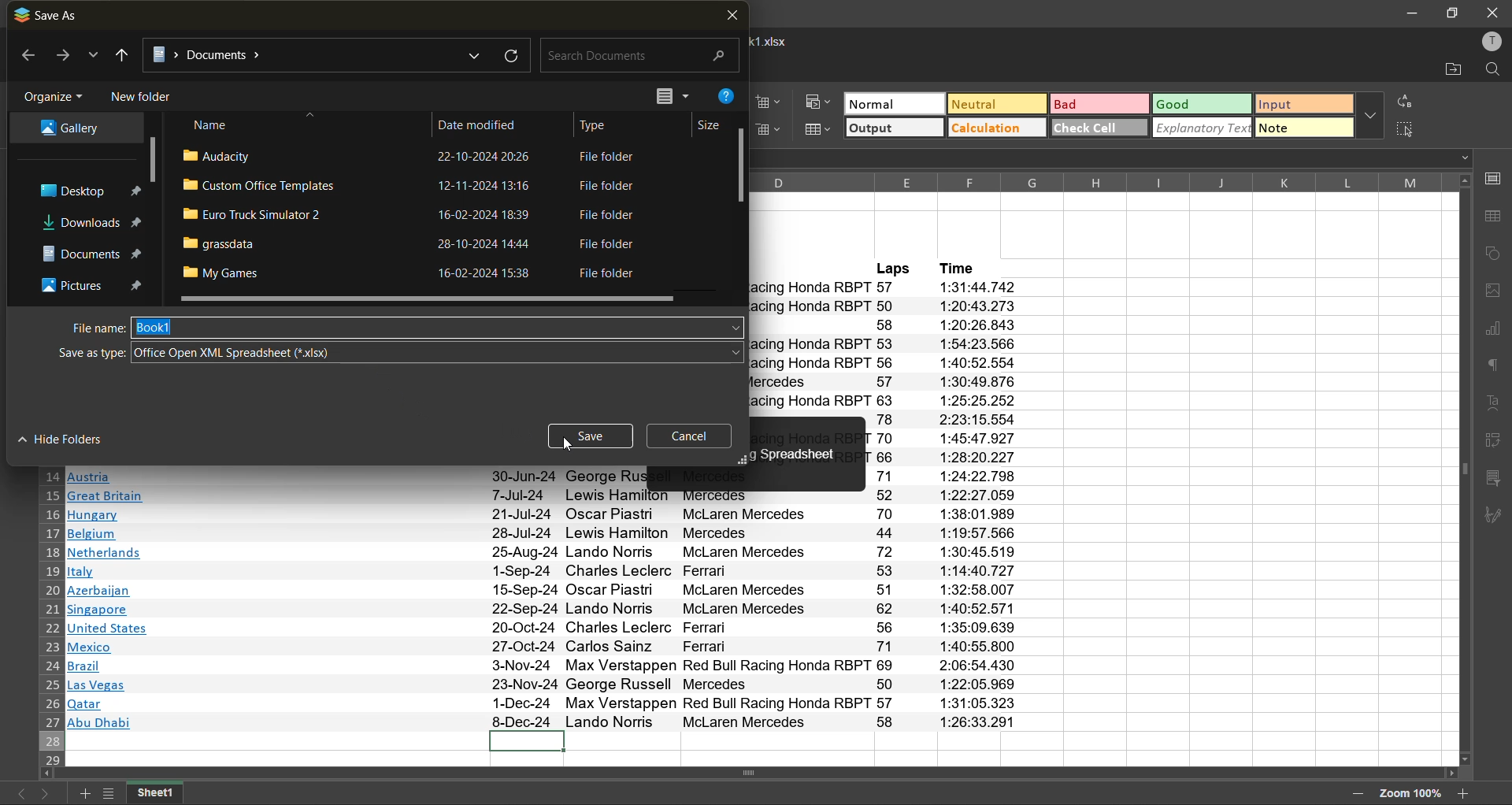 Image resolution: width=1512 pixels, height=805 pixels. Describe the element at coordinates (1410, 796) in the screenshot. I see `zoom factor` at that location.